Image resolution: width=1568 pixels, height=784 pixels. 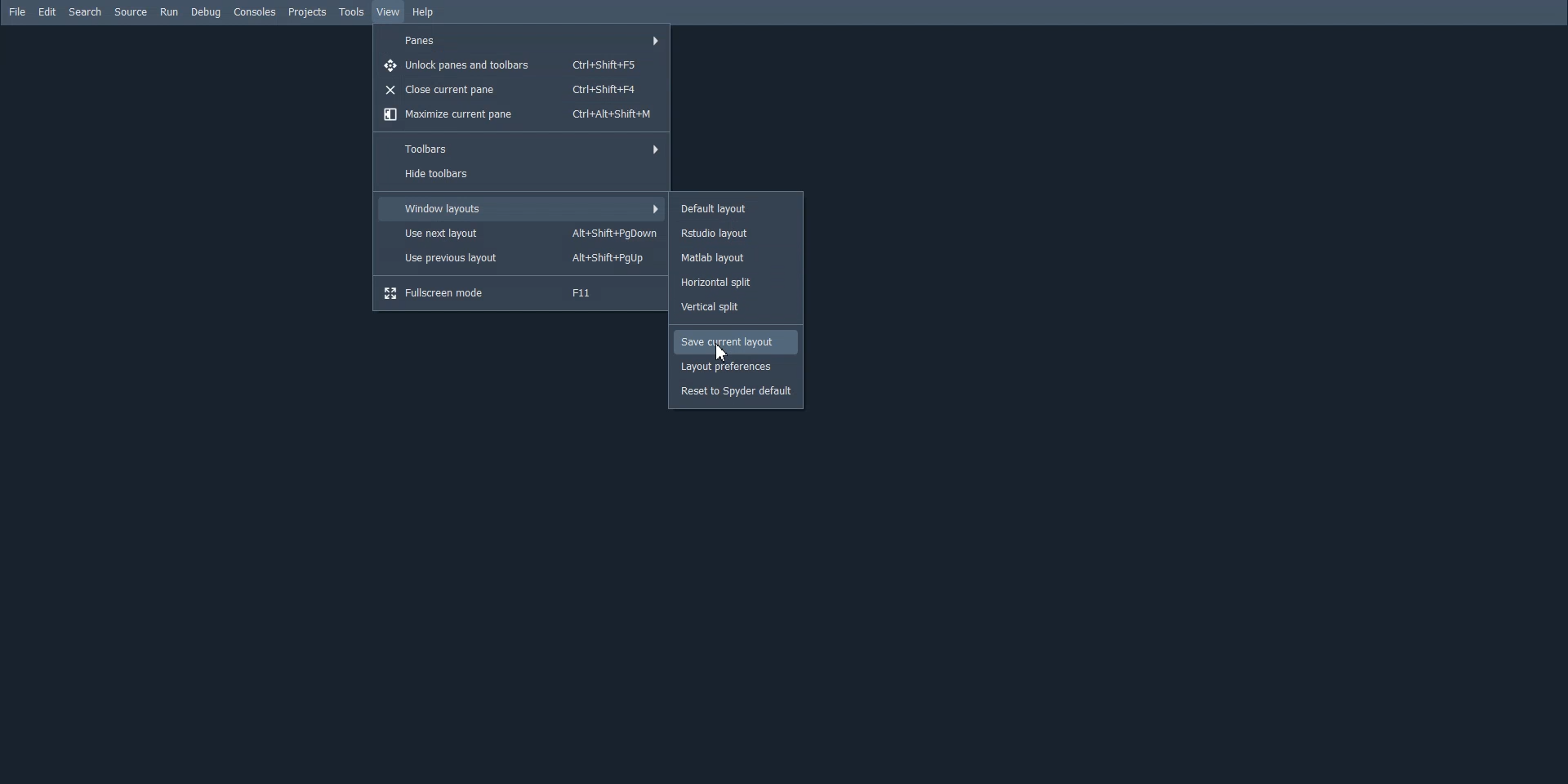 What do you see at coordinates (387, 12) in the screenshot?
I see `View` at bounding box center [387, 12].